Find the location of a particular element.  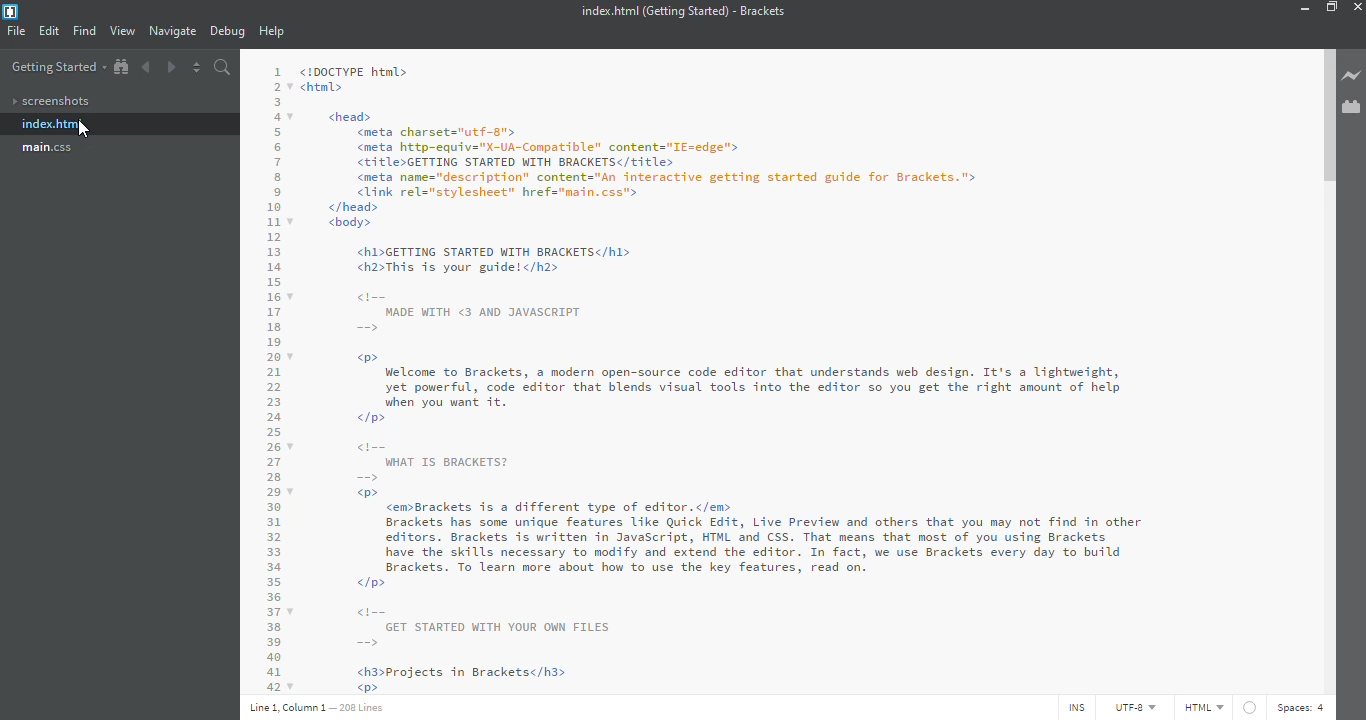

close is located at coordinates (1362, 5).